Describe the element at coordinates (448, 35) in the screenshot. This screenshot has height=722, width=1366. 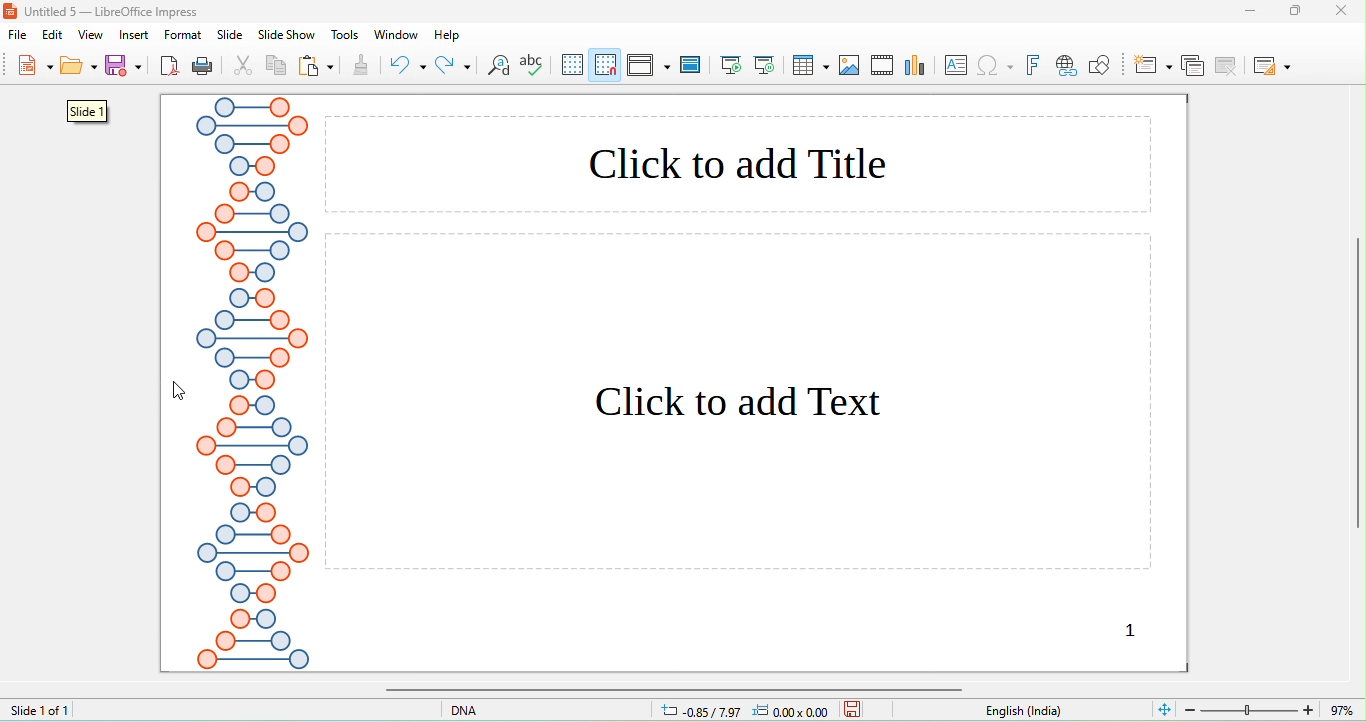
I see `help` at that location.